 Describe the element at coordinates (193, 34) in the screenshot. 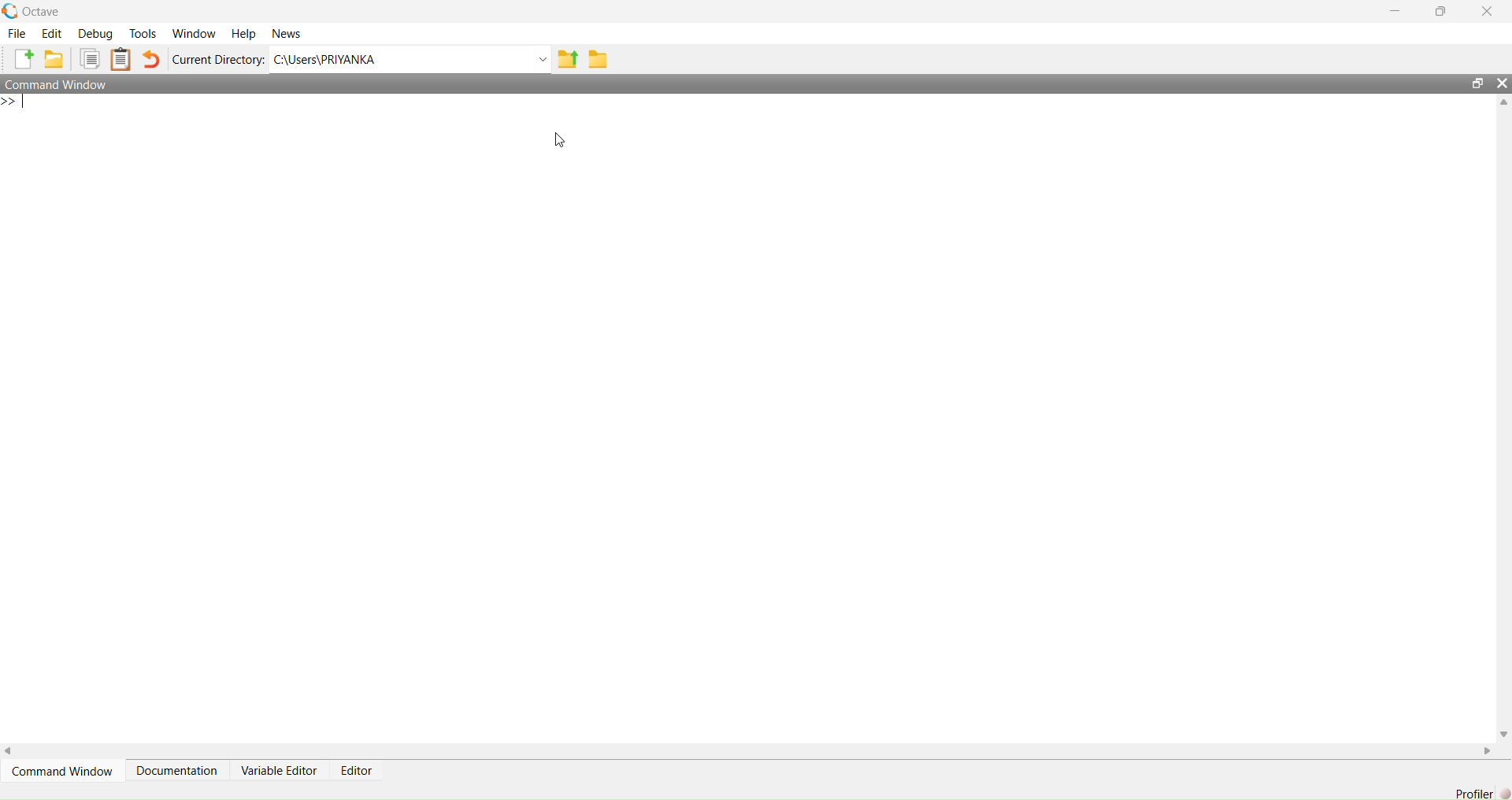

I see `Window` at that location.